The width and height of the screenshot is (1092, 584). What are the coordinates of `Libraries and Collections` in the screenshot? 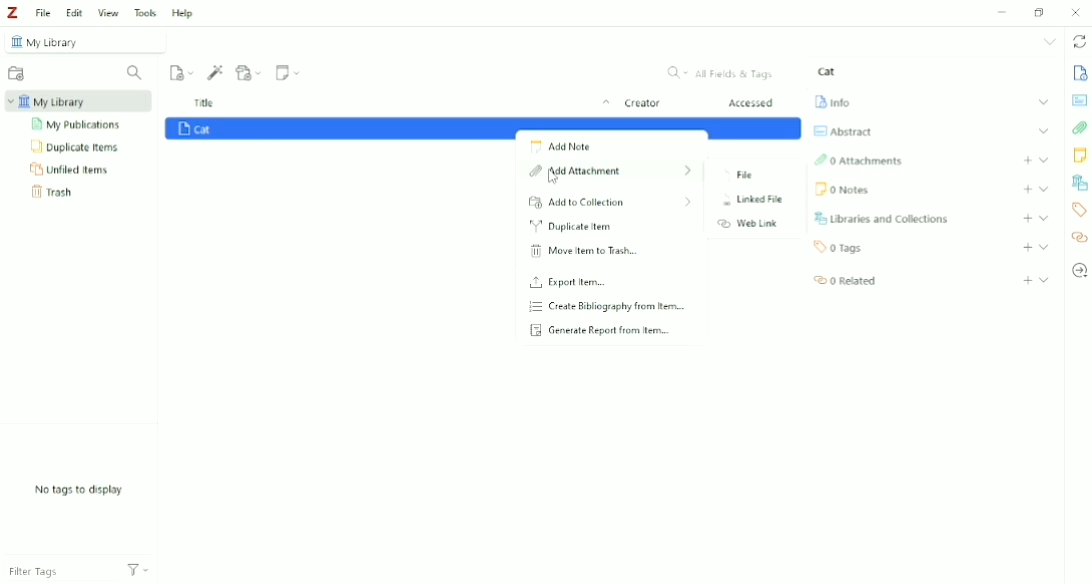 It's located at (880, 218).